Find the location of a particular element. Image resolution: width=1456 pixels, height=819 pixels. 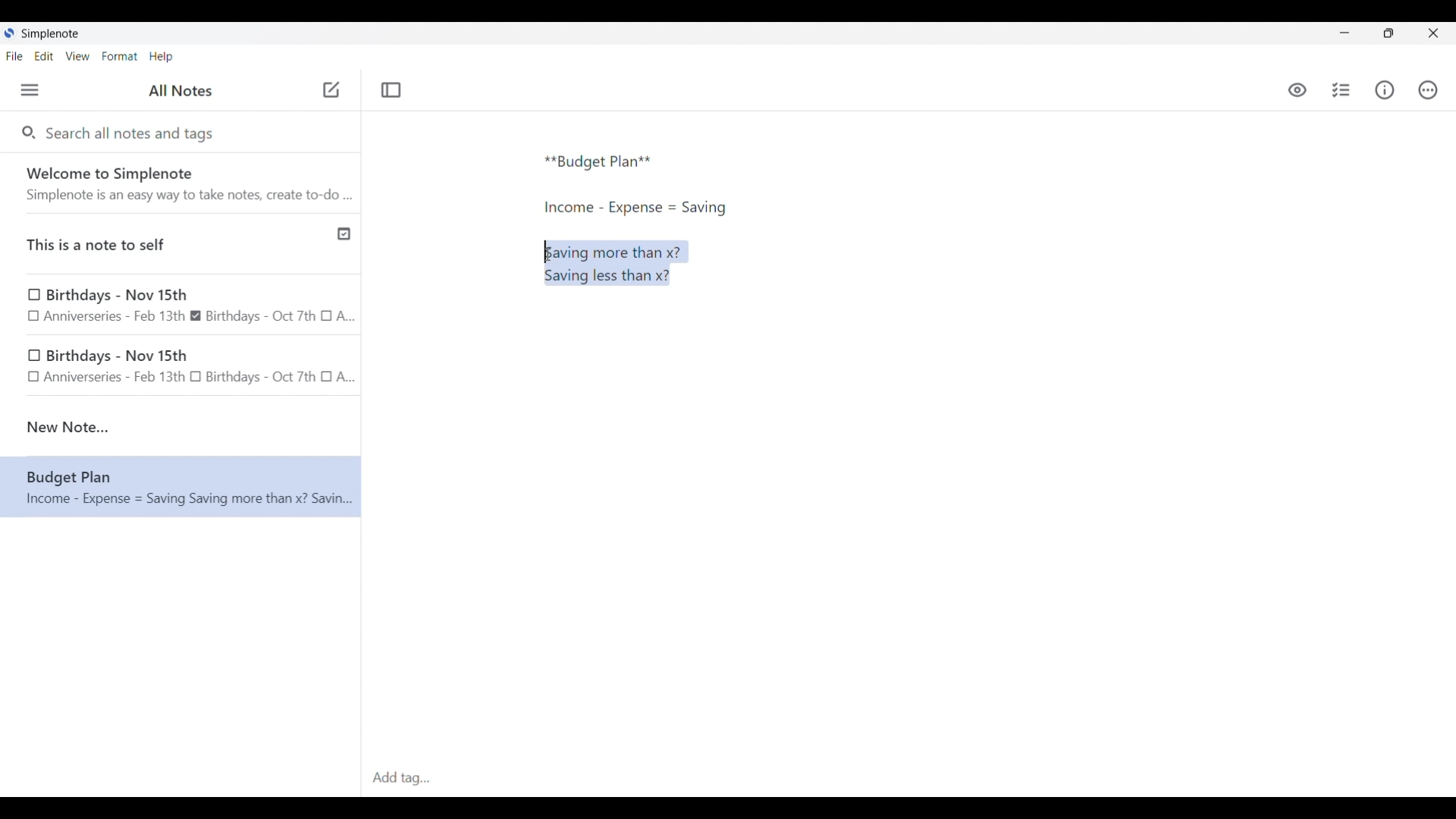

Text highlighted is located at coordinates (623, 262).